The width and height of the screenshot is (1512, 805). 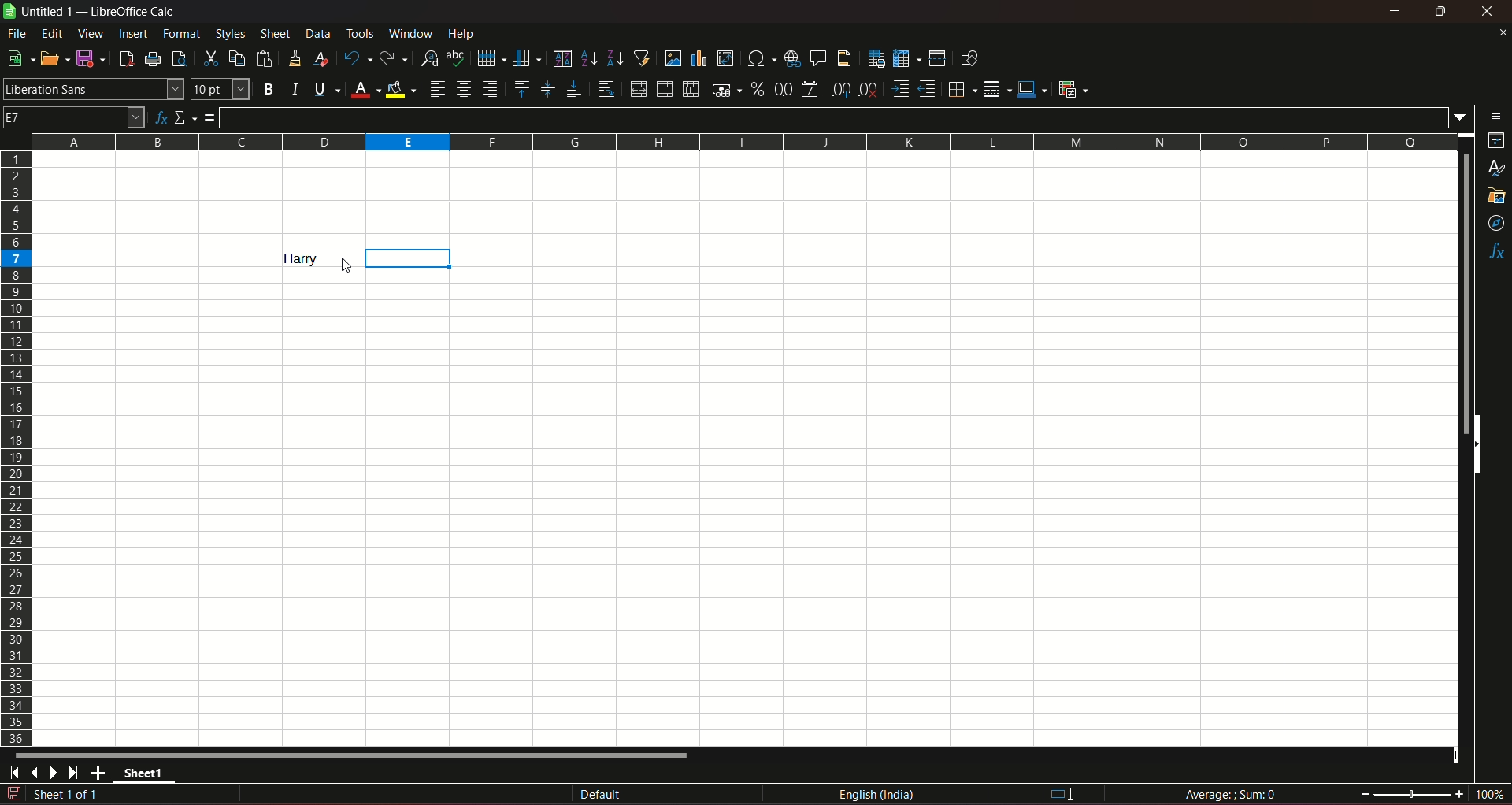 What do you see at coordinates (40, 12) in the screenshot?
I see `sheet name` at bounding box center [40, 12].